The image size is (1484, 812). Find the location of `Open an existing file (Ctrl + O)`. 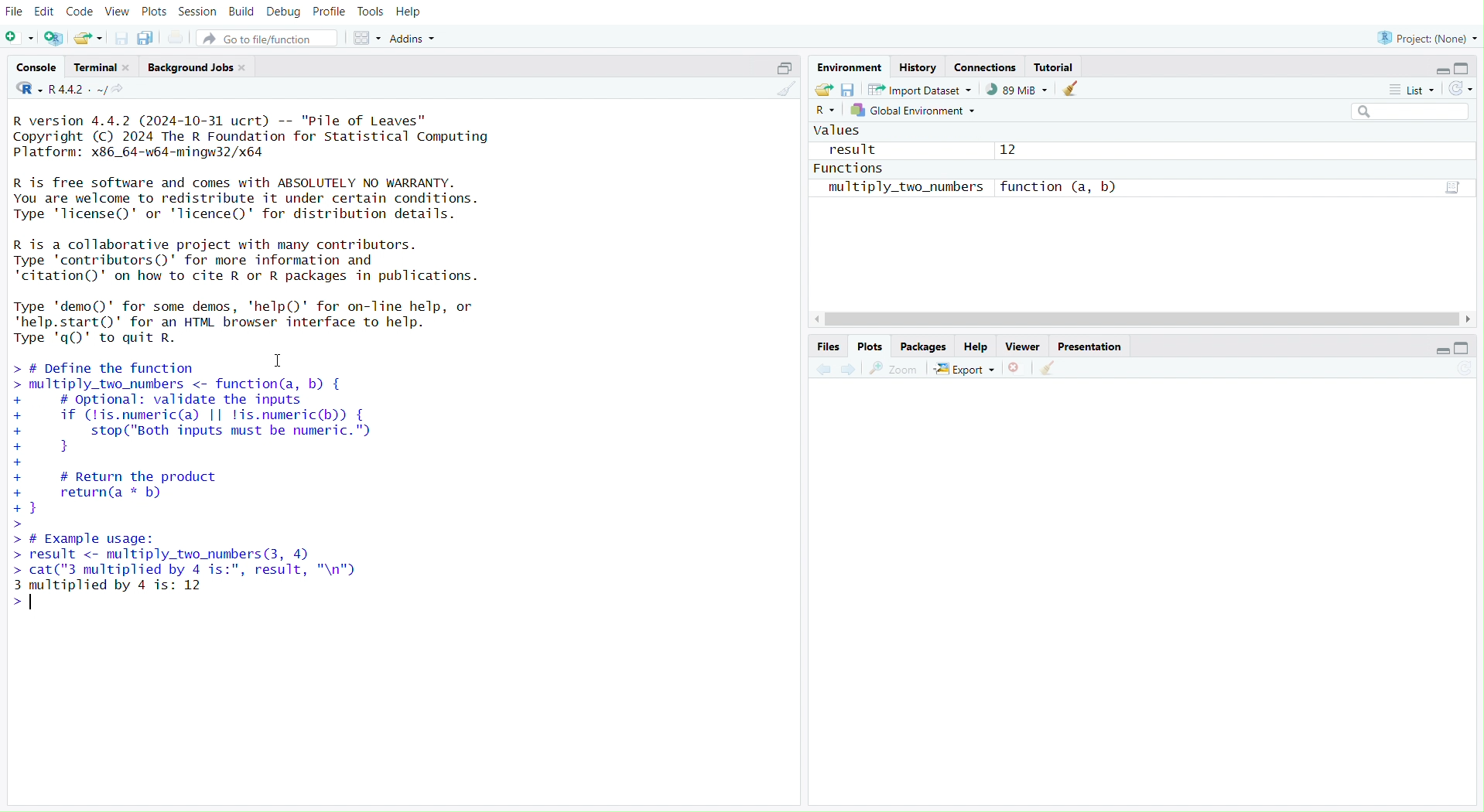

Open an existing file (Ctrl + O) is located at coordinates (87, 38).